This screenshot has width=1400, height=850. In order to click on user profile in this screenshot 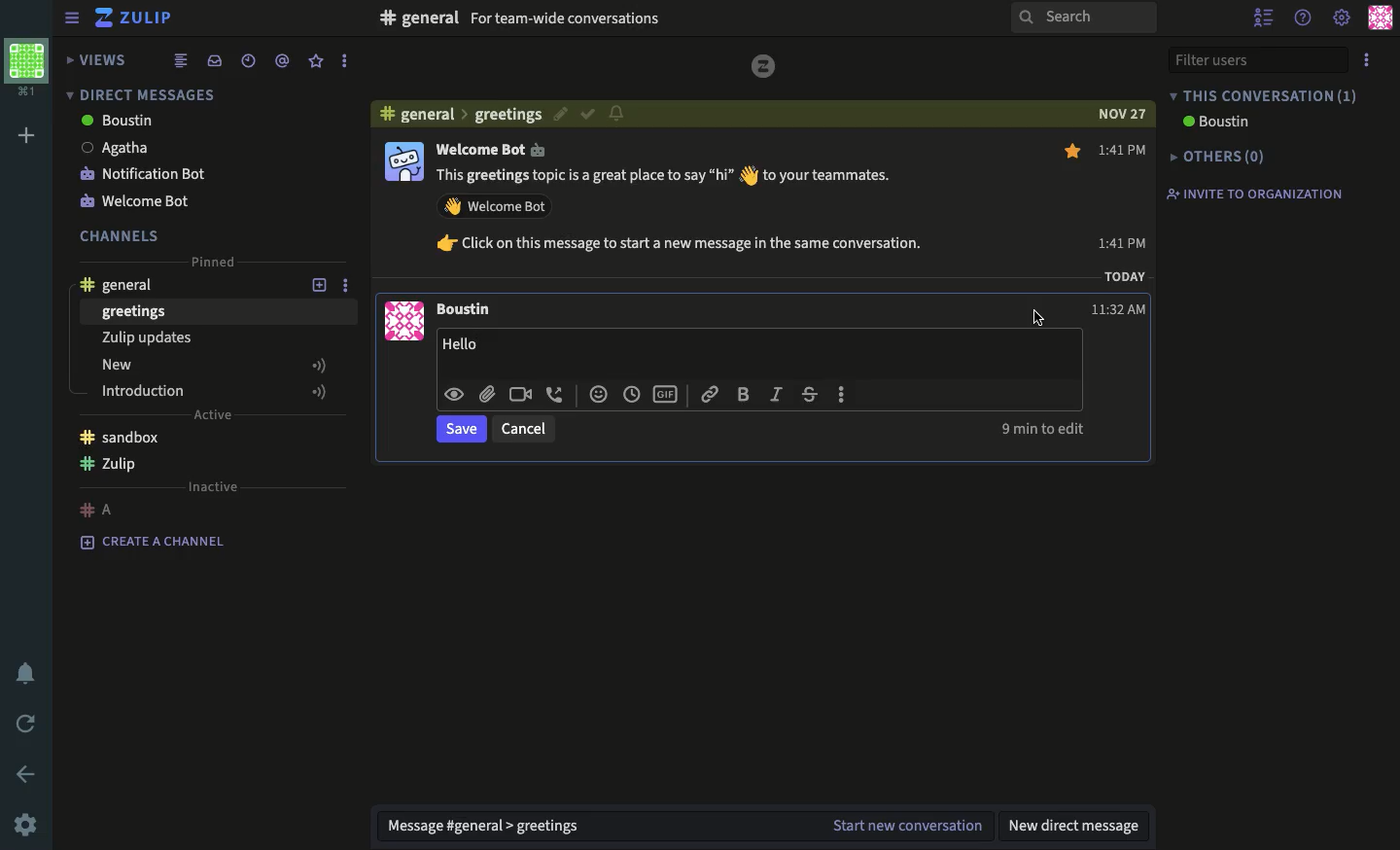, I will do `click(1382, 18)`.